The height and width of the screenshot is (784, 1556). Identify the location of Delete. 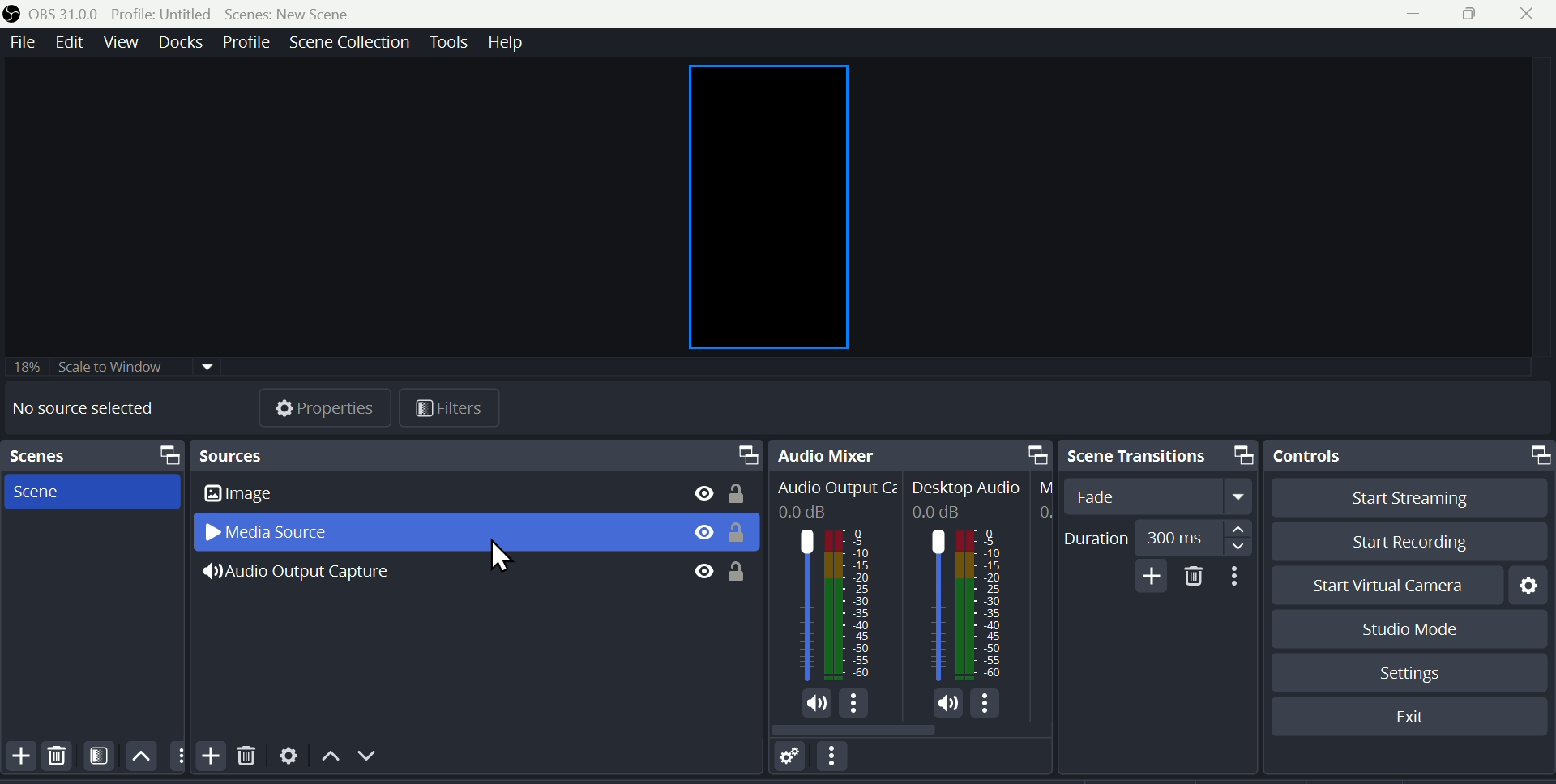
(247, 762).